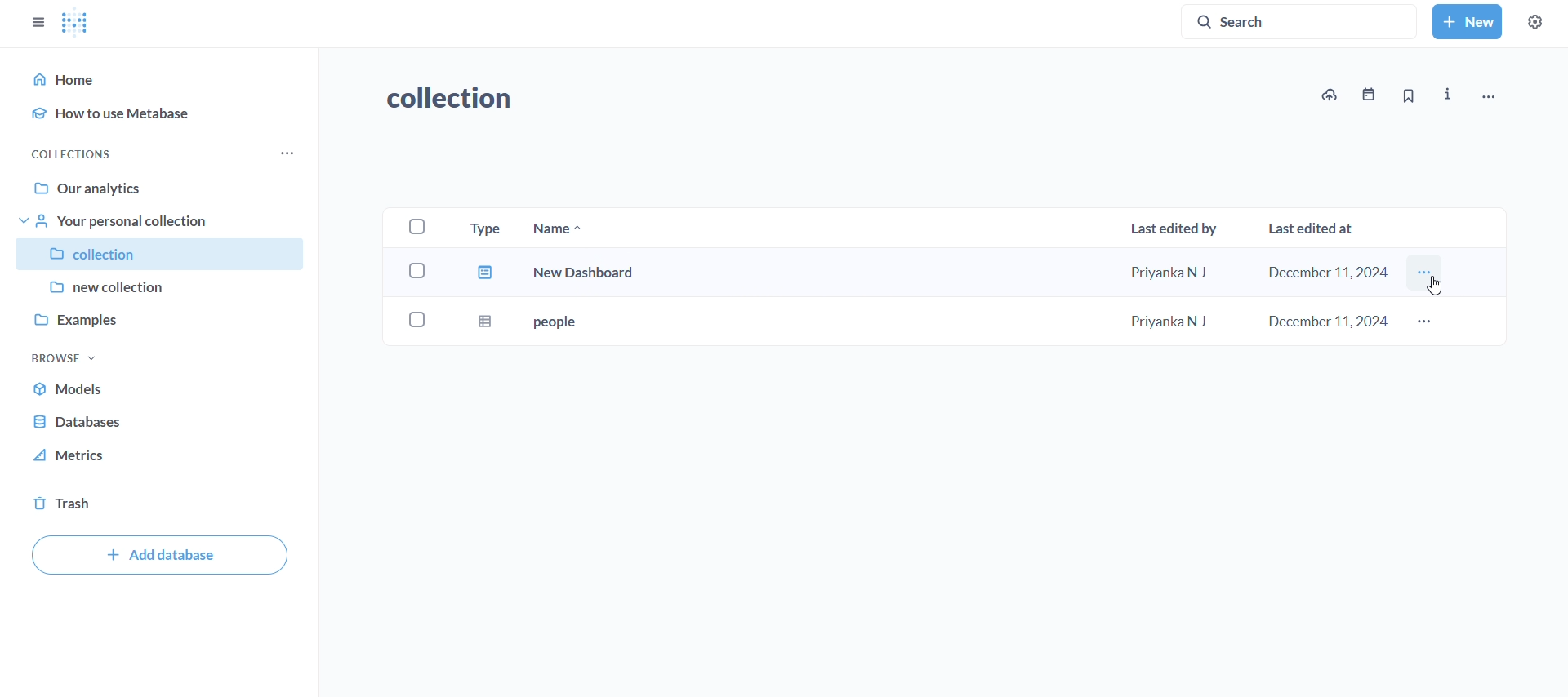 The image size is (1568, 697). Describe the element at coordinates (559, 227) in the screenshot. I see `name` at that location.